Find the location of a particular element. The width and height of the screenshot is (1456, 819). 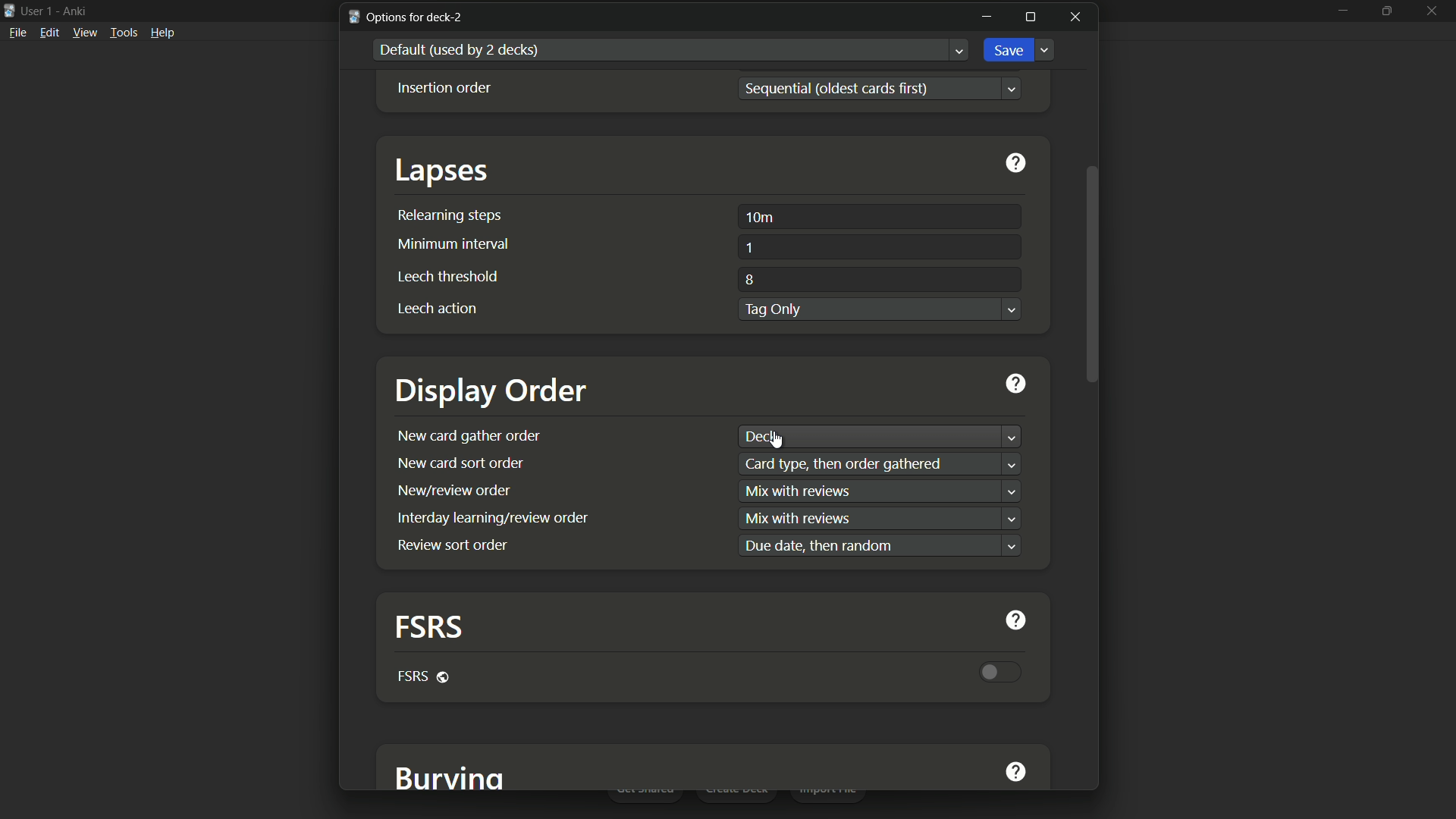

get help is located at coordinates (1017, 165).